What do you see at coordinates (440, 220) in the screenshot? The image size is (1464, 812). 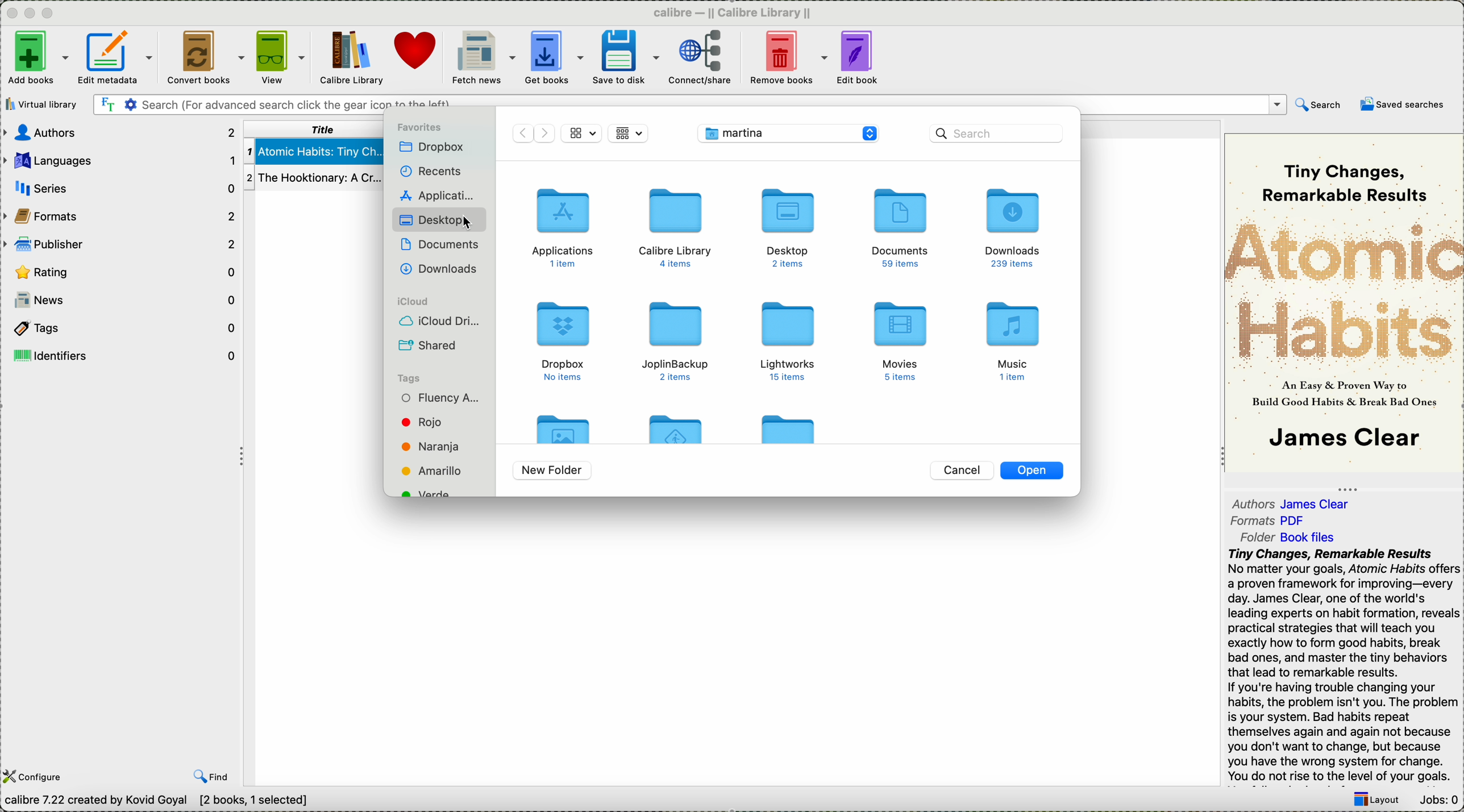 I see `click on desktop` at bounding box center [440, 220].